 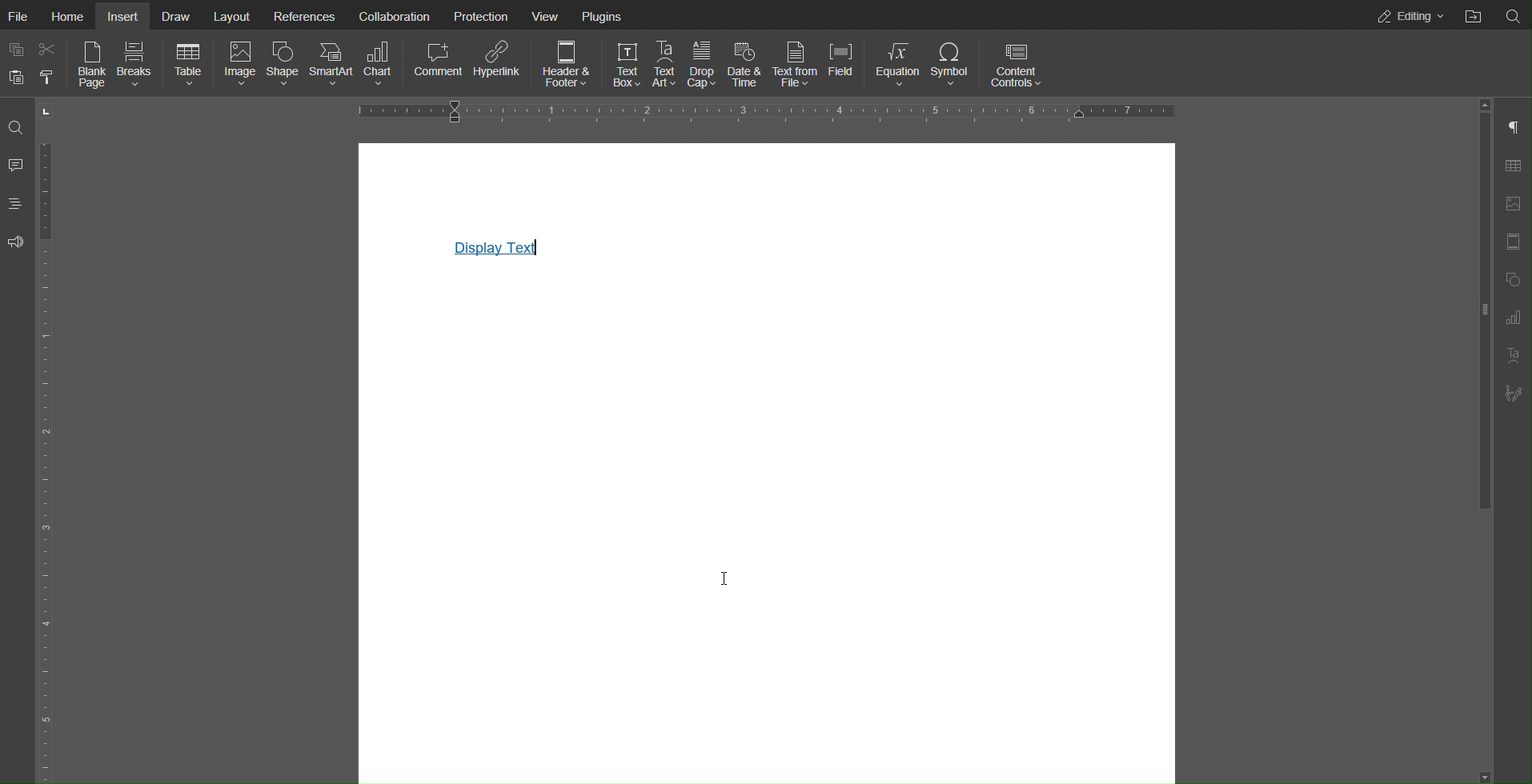 I want to click on Comment, so click(x=15, y=165).